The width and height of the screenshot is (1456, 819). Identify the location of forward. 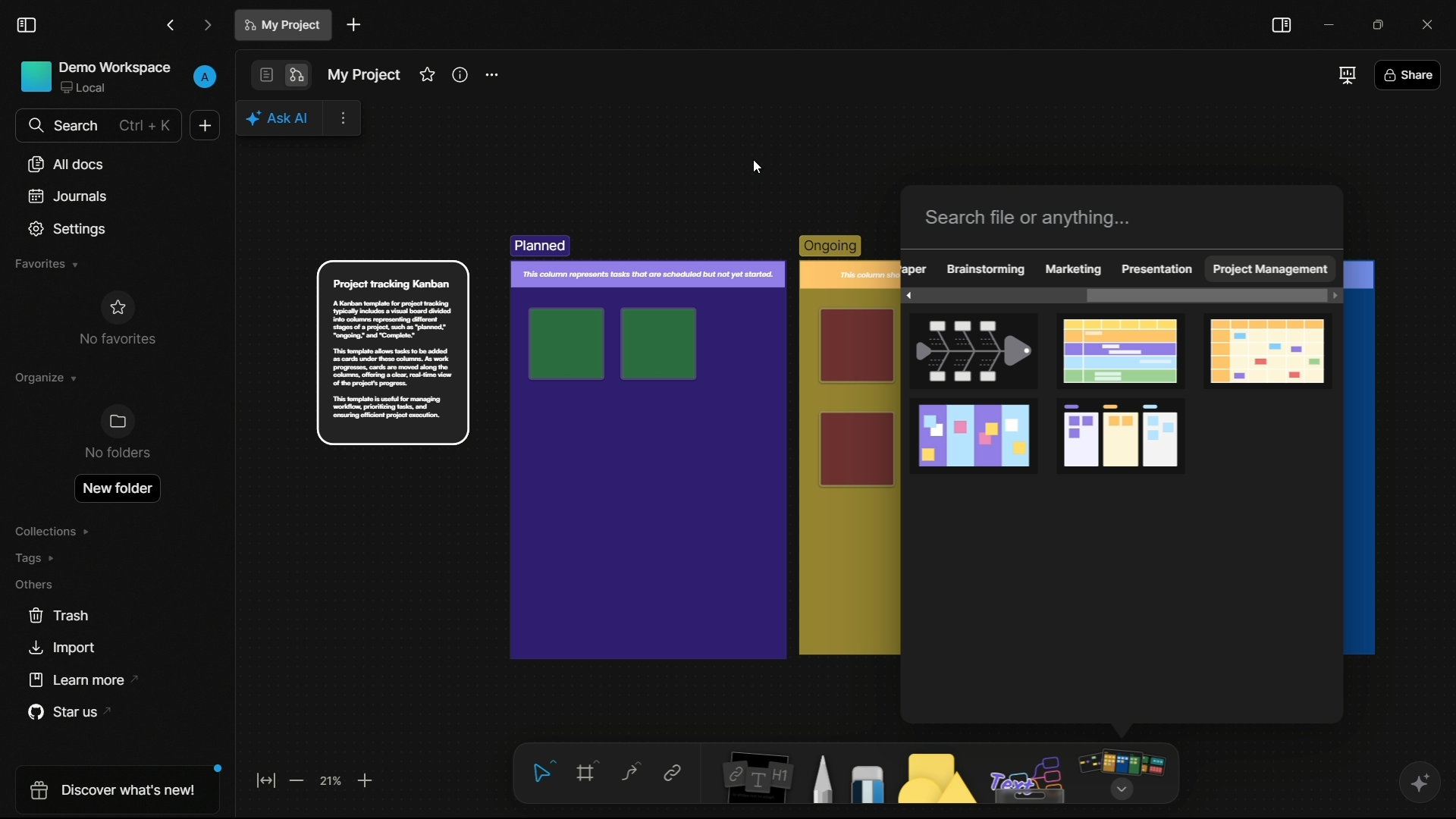
(208, 27).